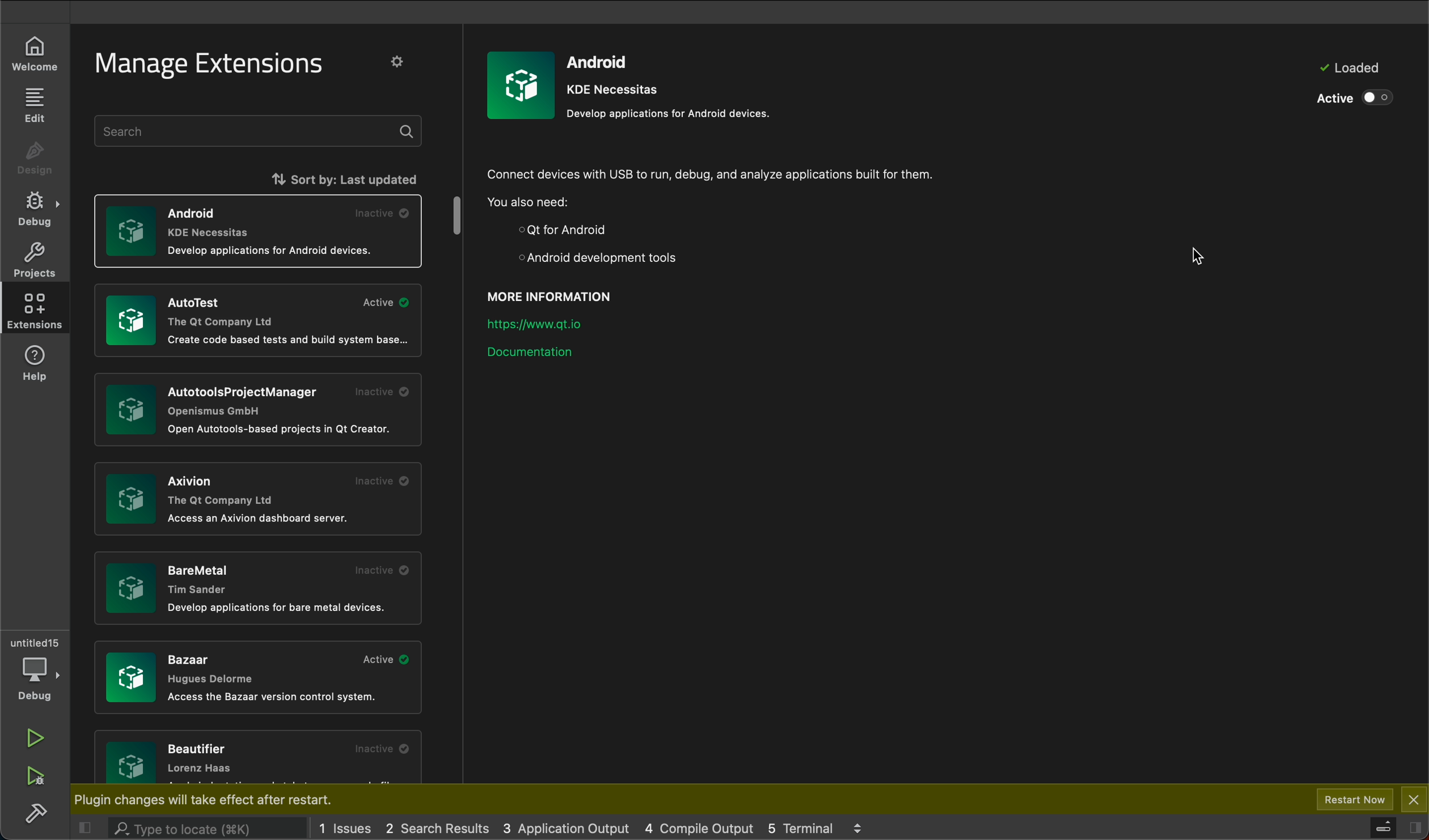  I want to click on build, so click(34, 813).